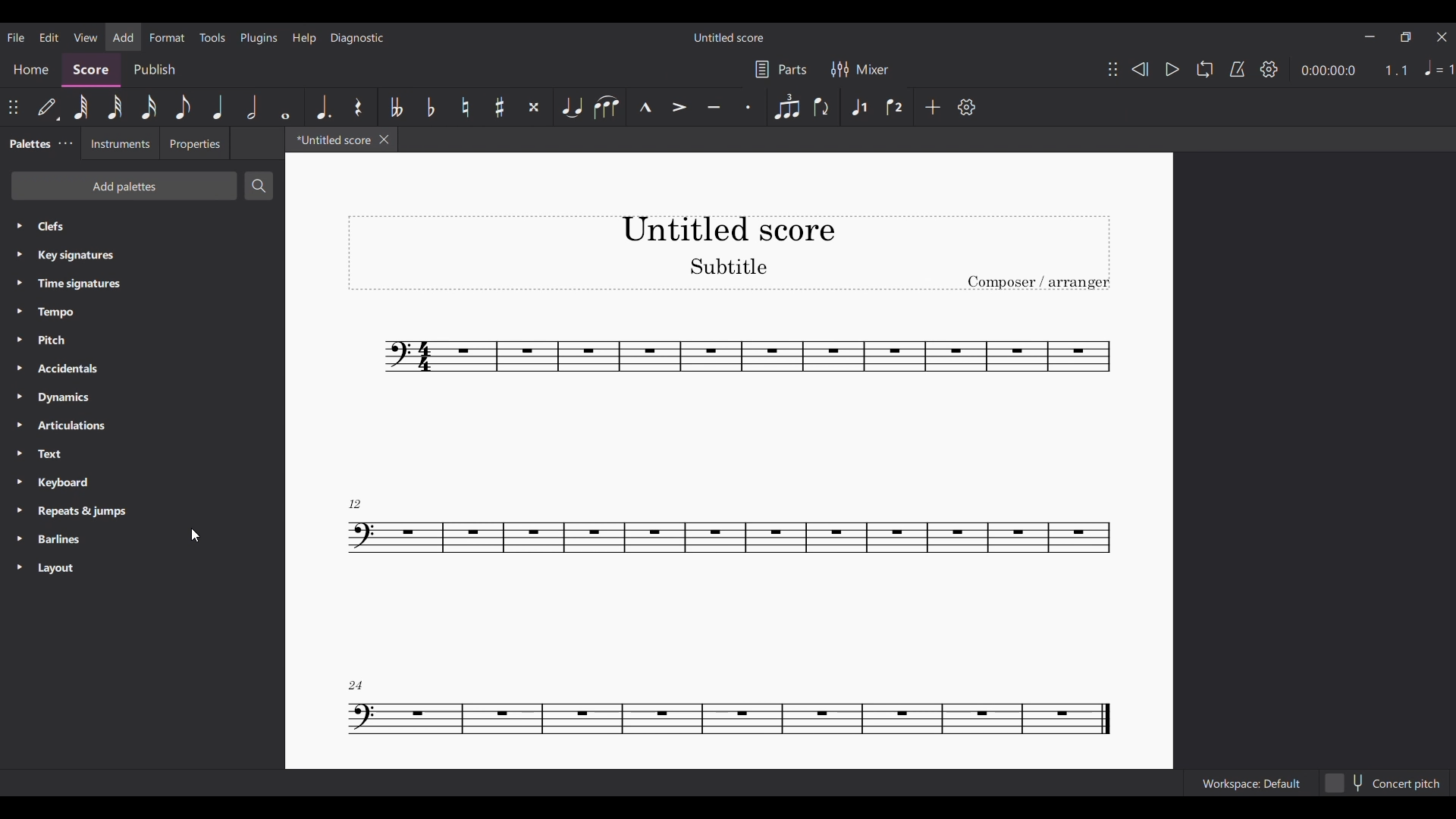 The width and height of the screenshot is (1456, 819). Describe the element at coordinates (120, 146) in the screenshot. I see `Instruments panel` at that location.